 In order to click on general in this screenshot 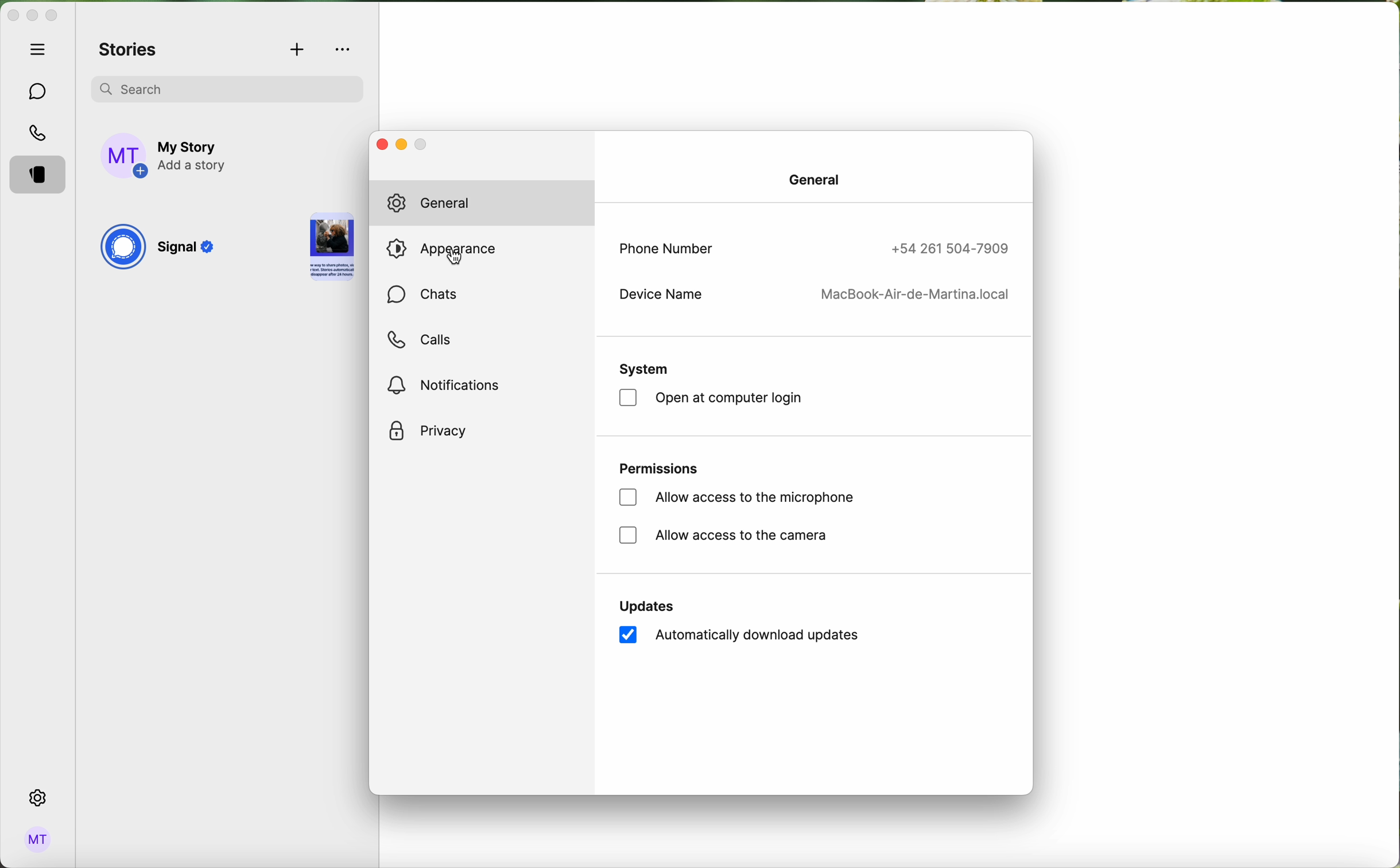, I will do `click(480, 203)`.